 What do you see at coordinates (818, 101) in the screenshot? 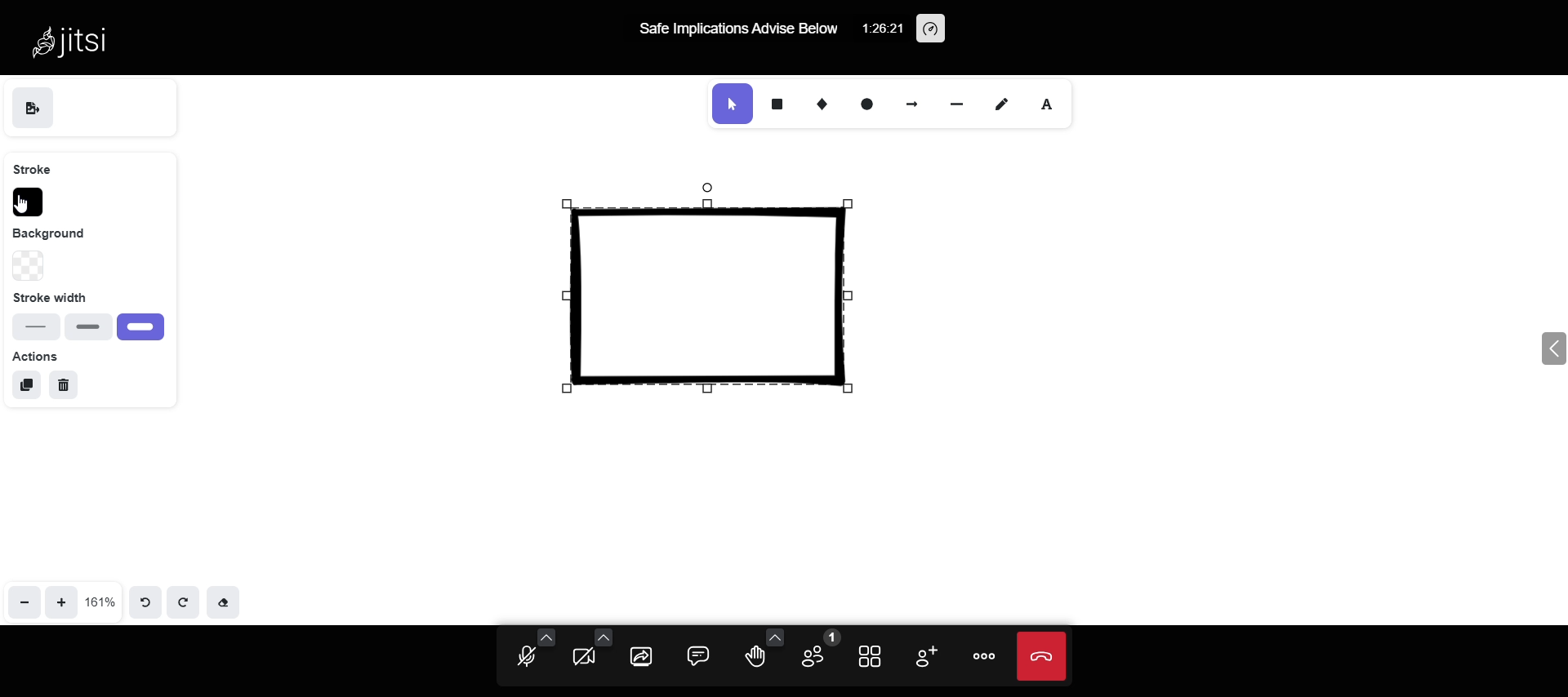
I see `diamond` at bounding box center [818, 101].